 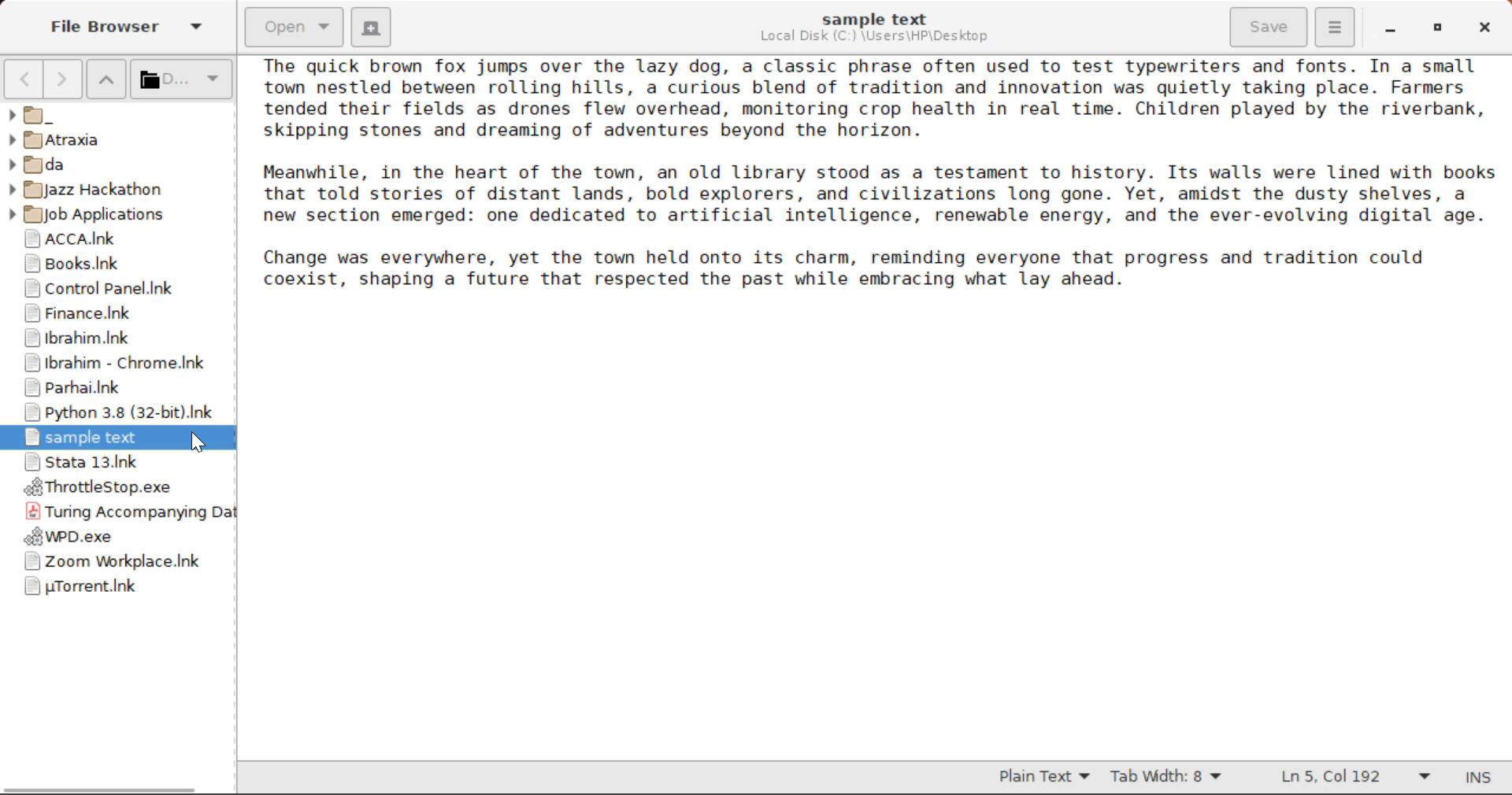 What do you see at coordinates (195, 440) in the screenshot?
I see `Cursor Position` at bounding box center [195, 440].